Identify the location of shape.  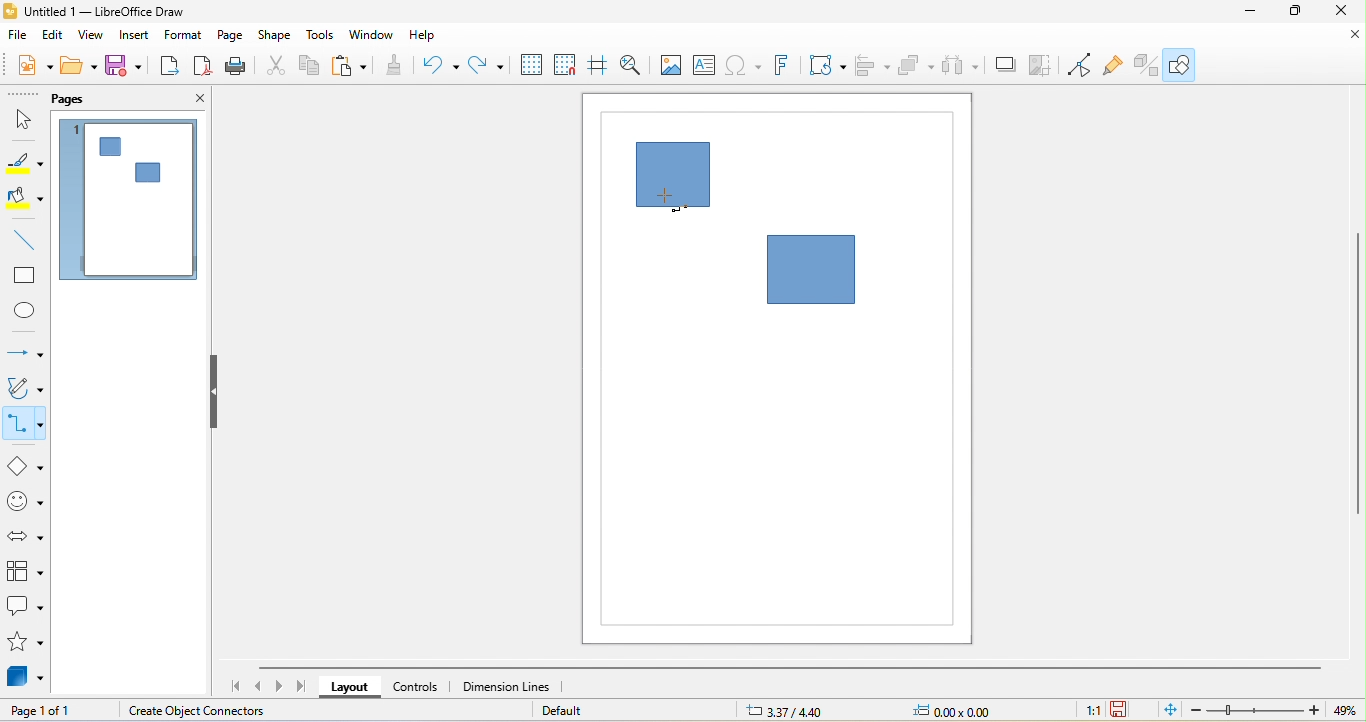
(673, 174).